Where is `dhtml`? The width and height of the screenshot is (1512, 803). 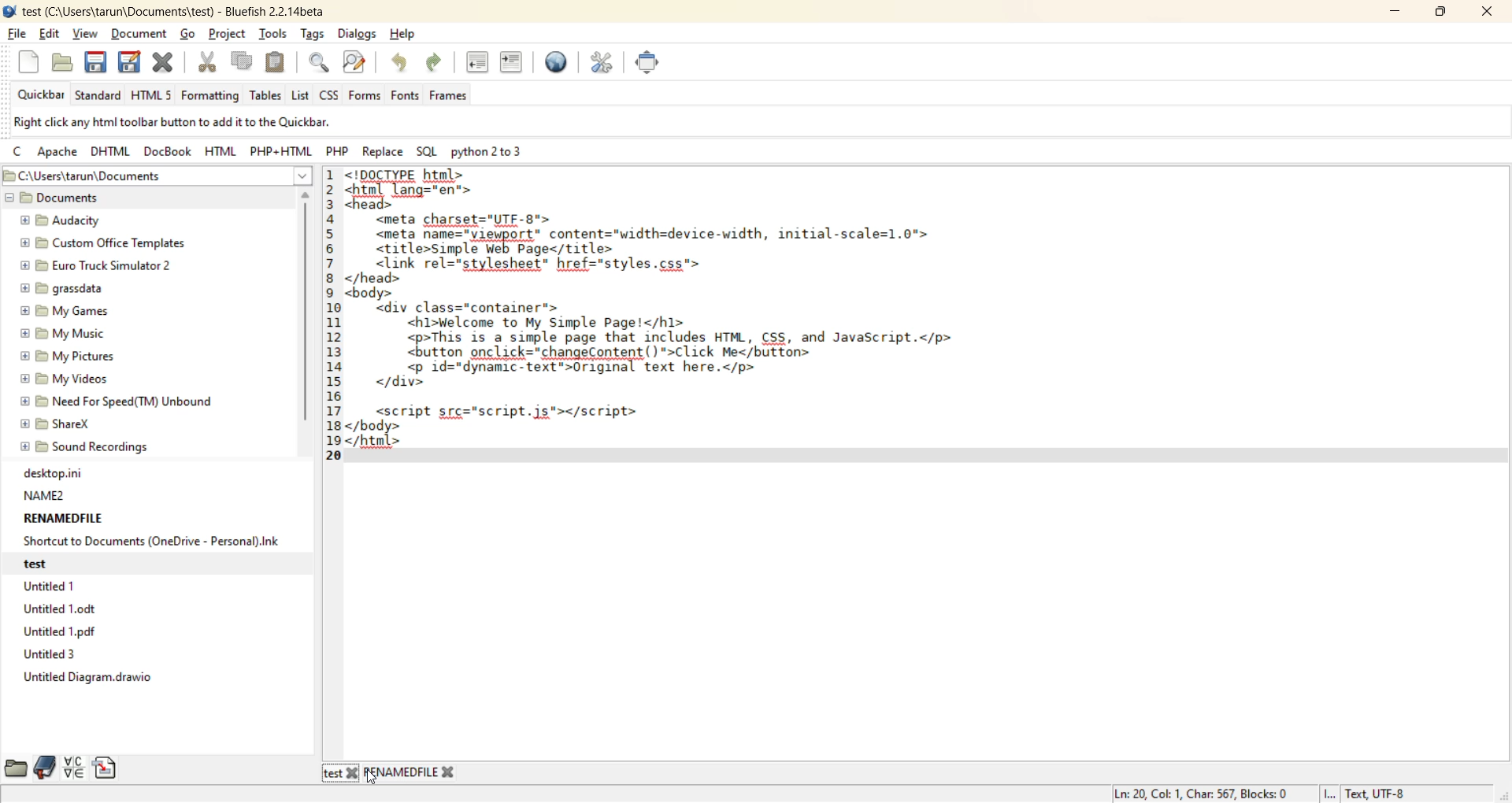
dhtml is located at coordinates (113, 154).